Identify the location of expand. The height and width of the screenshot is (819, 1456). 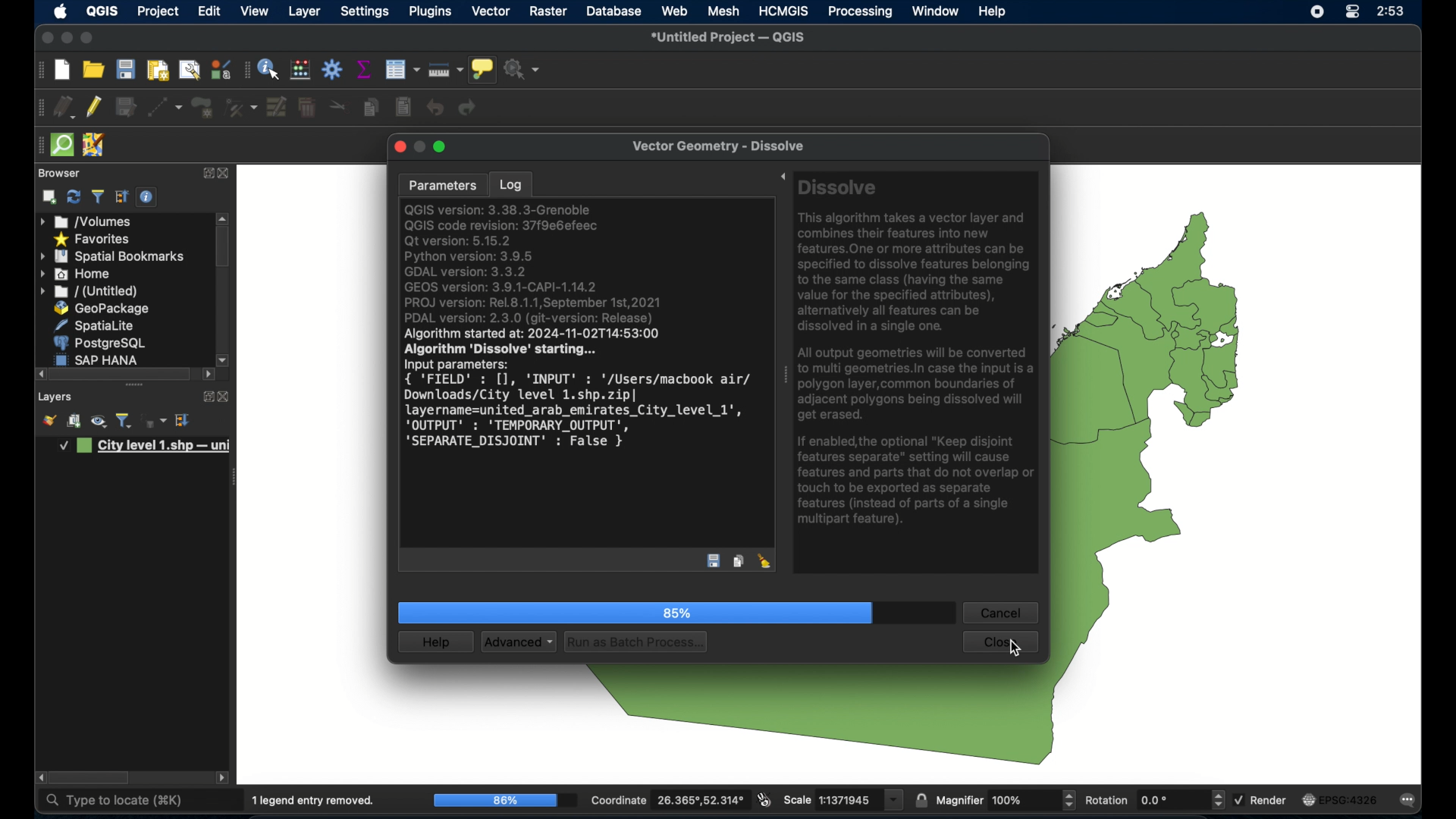
(206, 171).